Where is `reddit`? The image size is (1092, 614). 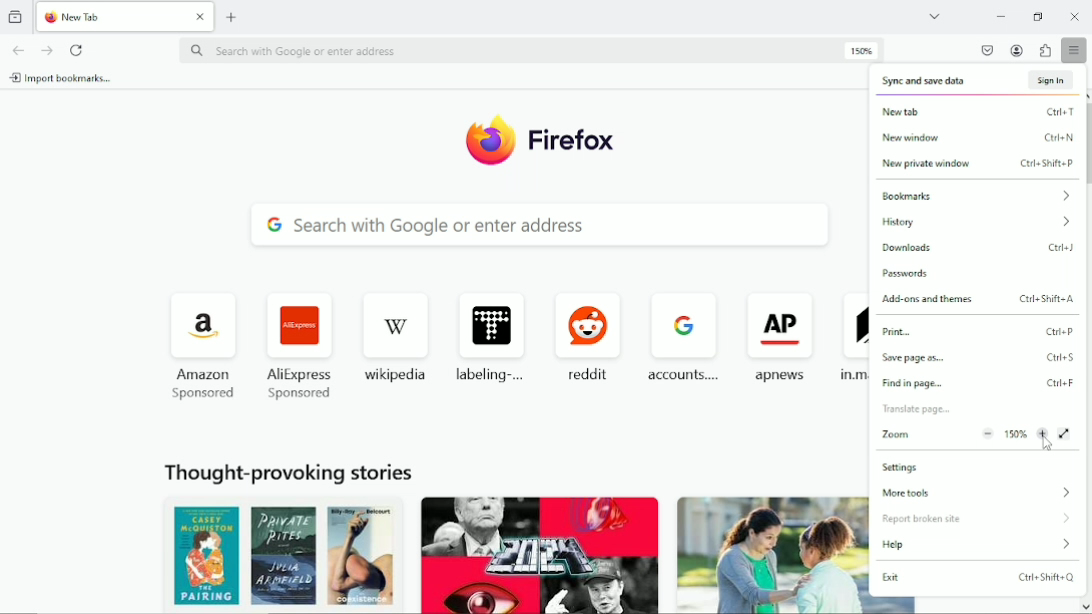 reddit is located at coordinates (589, 330).